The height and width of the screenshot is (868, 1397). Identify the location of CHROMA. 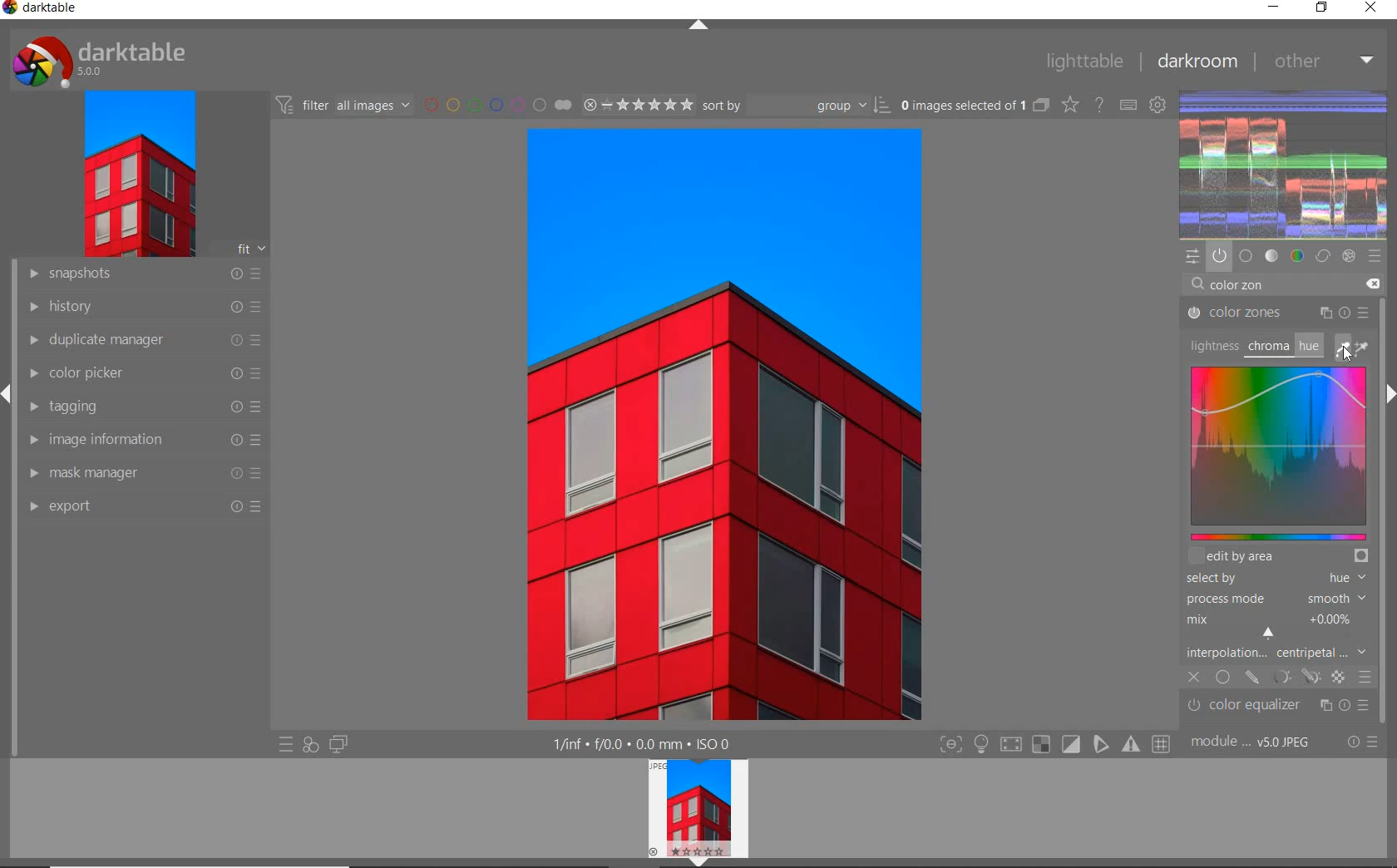
(1267, 348).